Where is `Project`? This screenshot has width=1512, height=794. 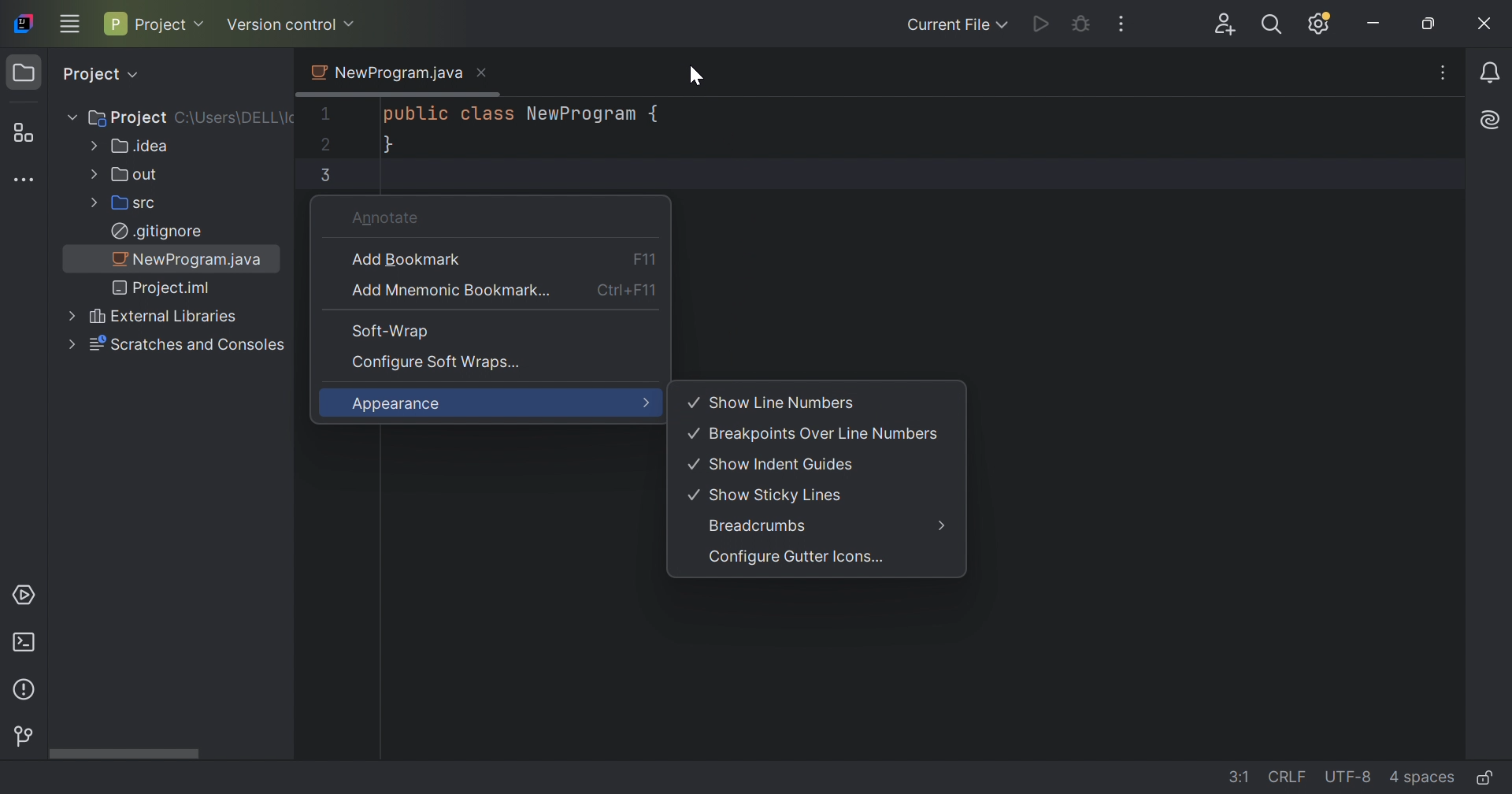 Project is located at coordinates (27, 74).